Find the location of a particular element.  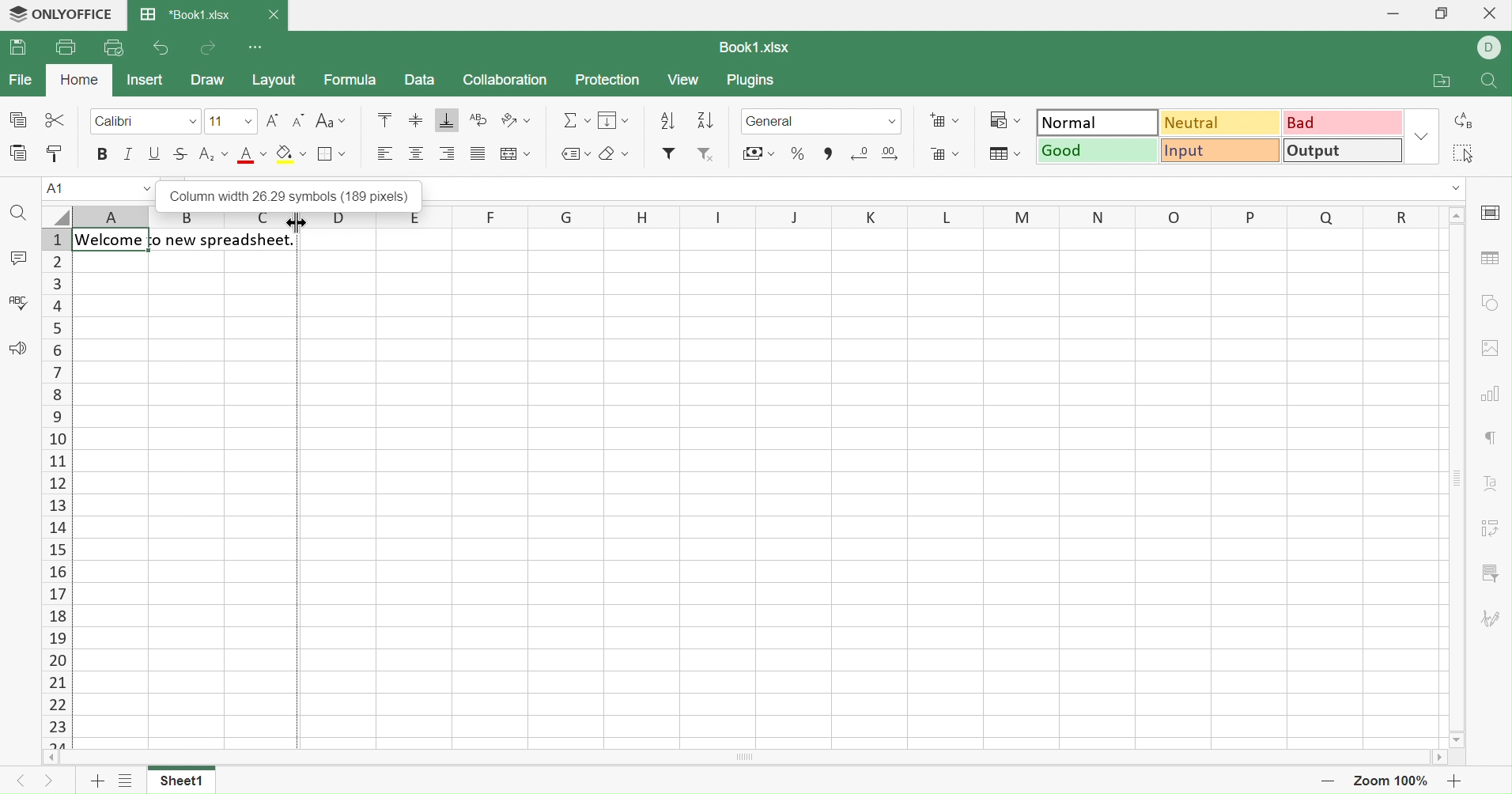

Calibri is located at coordinates (117, 120).